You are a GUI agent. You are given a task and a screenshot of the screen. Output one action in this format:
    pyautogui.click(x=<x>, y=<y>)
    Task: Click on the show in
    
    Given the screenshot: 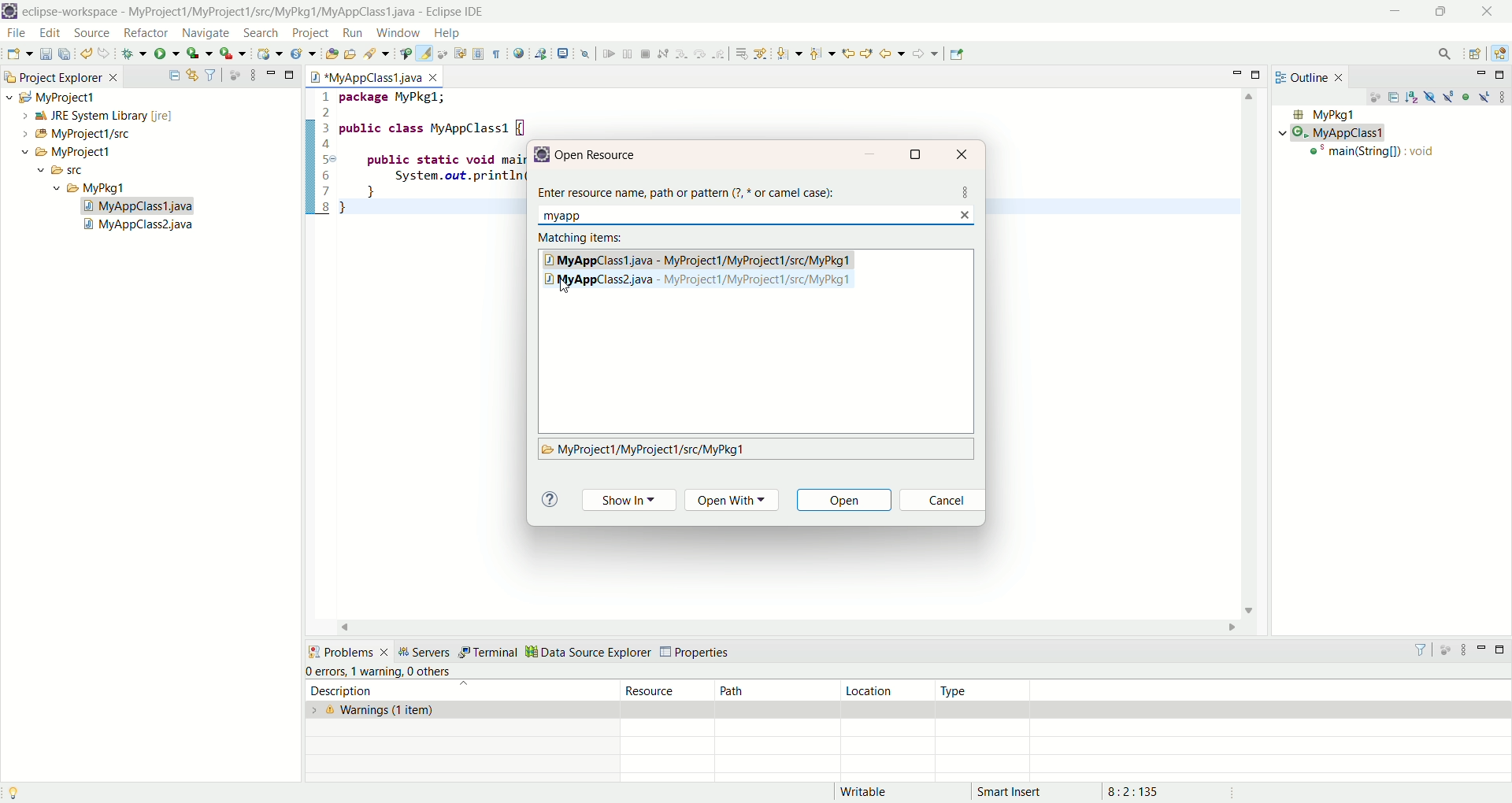 What is the action you would take?
    pyautogui.click(x=628, y=501)
    